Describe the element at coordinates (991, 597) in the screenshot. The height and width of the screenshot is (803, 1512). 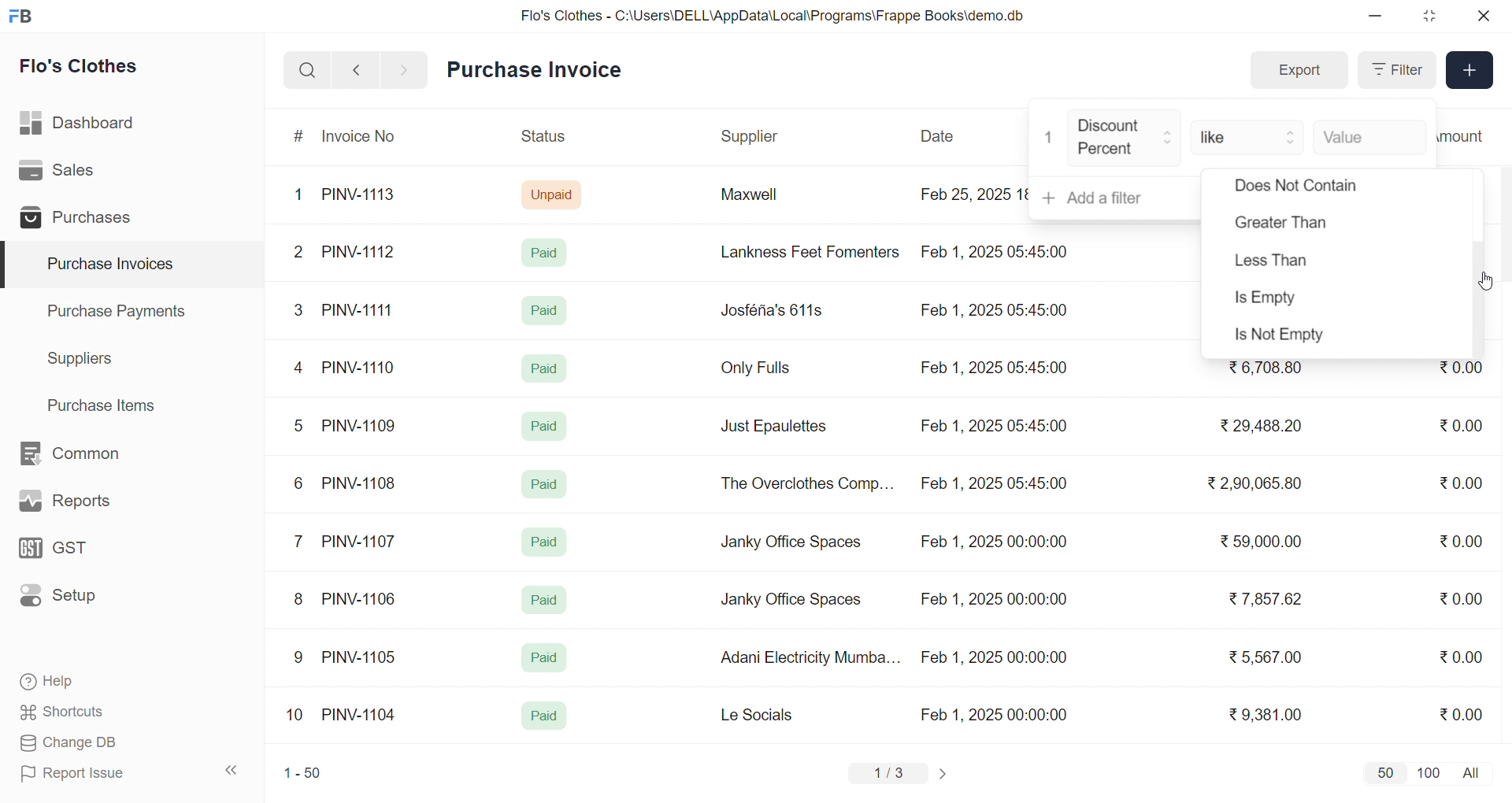
I see `Feb 1, 2025 00:00:00` at that location.